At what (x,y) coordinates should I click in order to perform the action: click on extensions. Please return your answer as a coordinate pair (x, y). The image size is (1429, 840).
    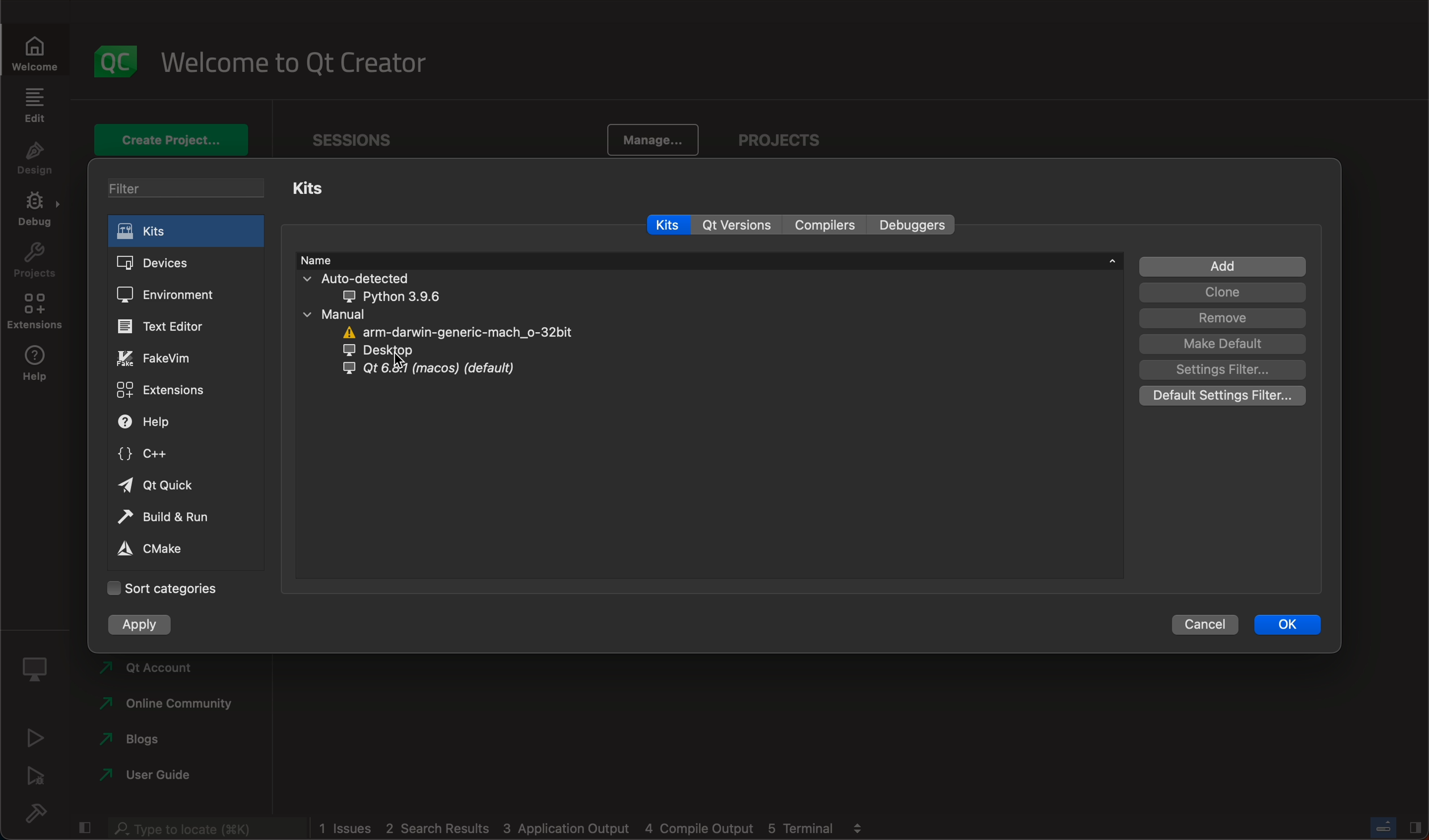
    Looking at the image, I should click on (164, 392).